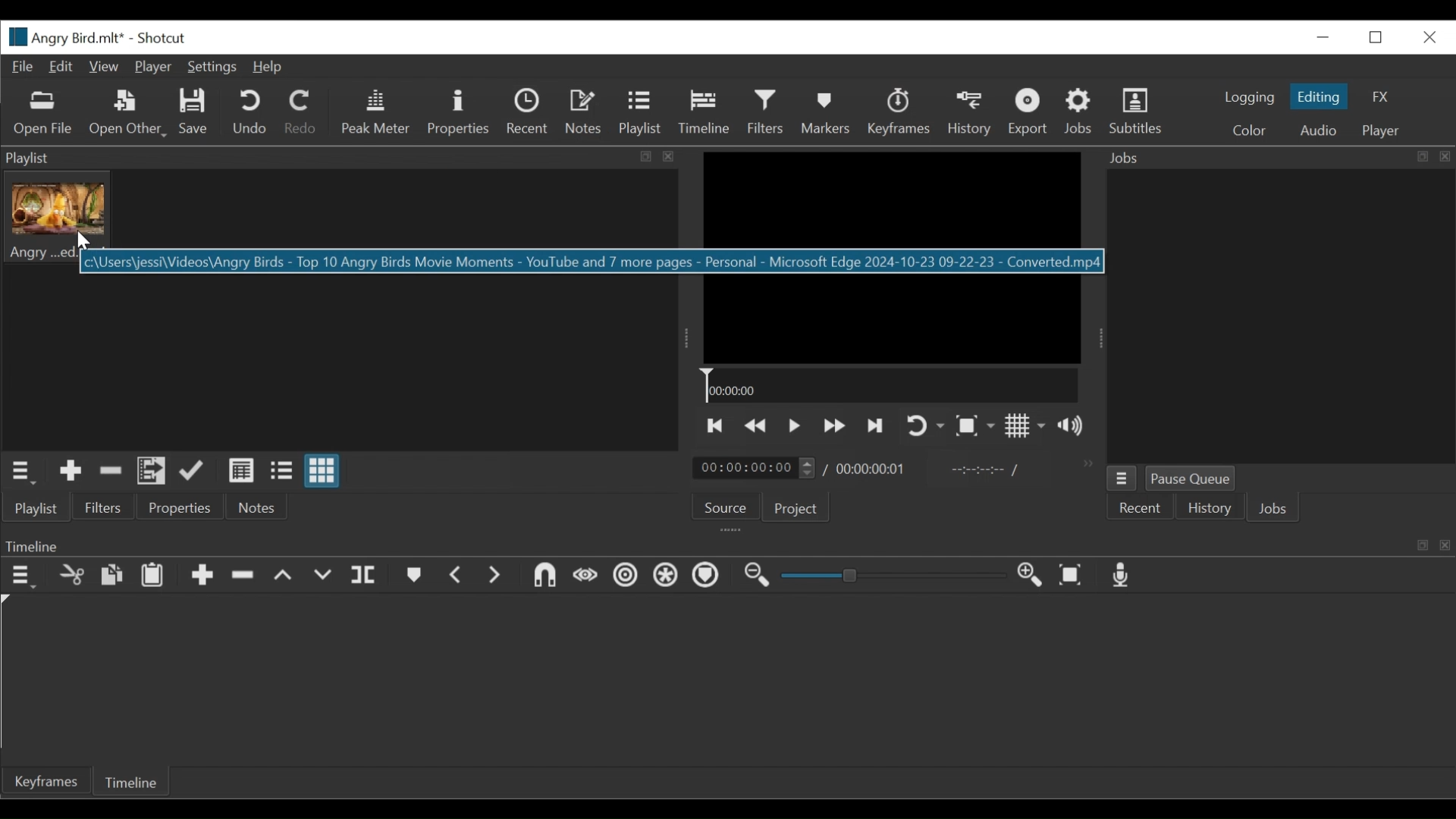  What do you see at coordinates (1380, 131) in the screenshot?
I see `Player` at bounding box center [1380, 131].